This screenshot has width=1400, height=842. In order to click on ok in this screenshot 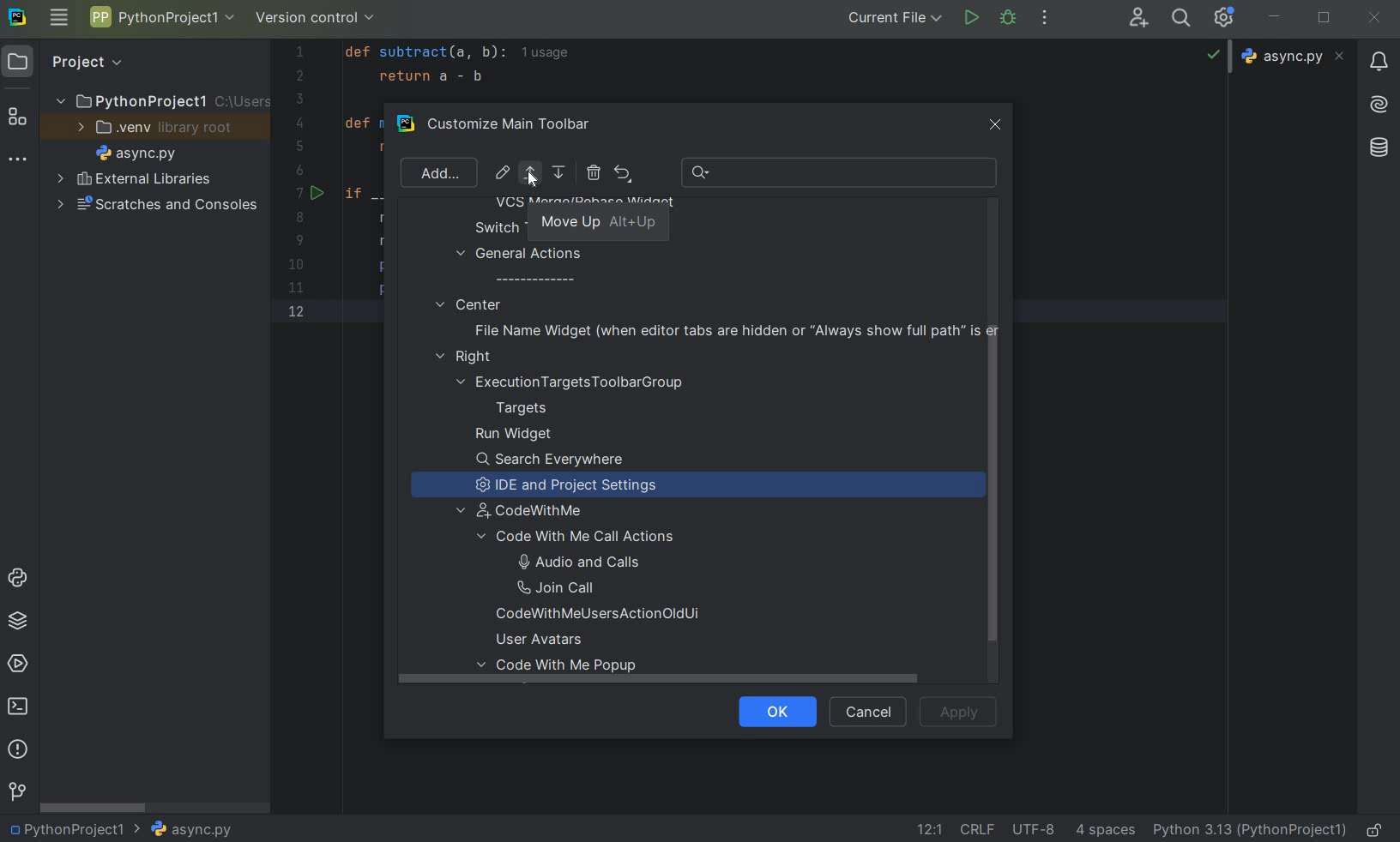, I will do `click(770, 710)`.